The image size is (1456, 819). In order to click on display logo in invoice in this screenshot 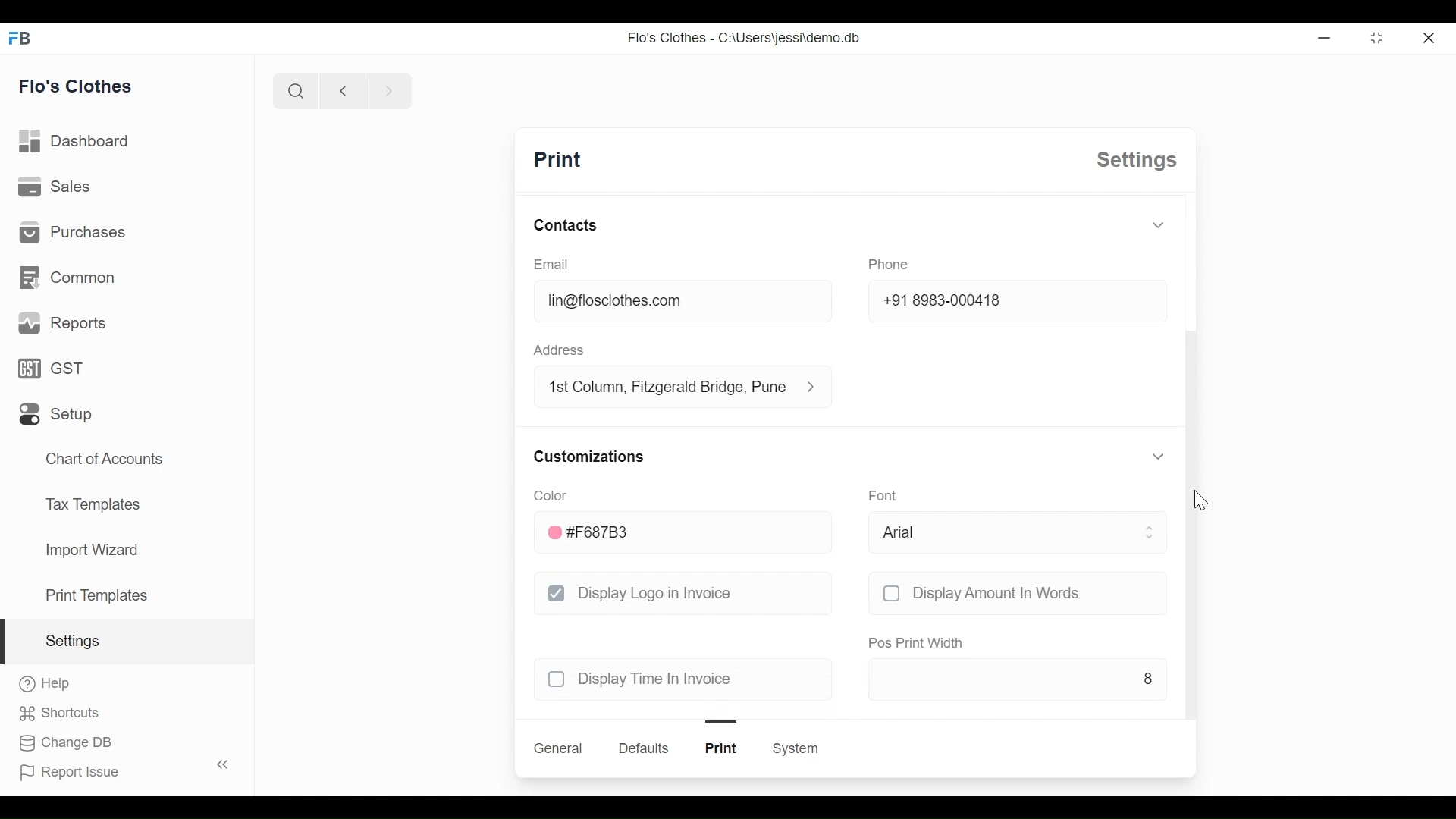, I will do `click(657, 592)`.